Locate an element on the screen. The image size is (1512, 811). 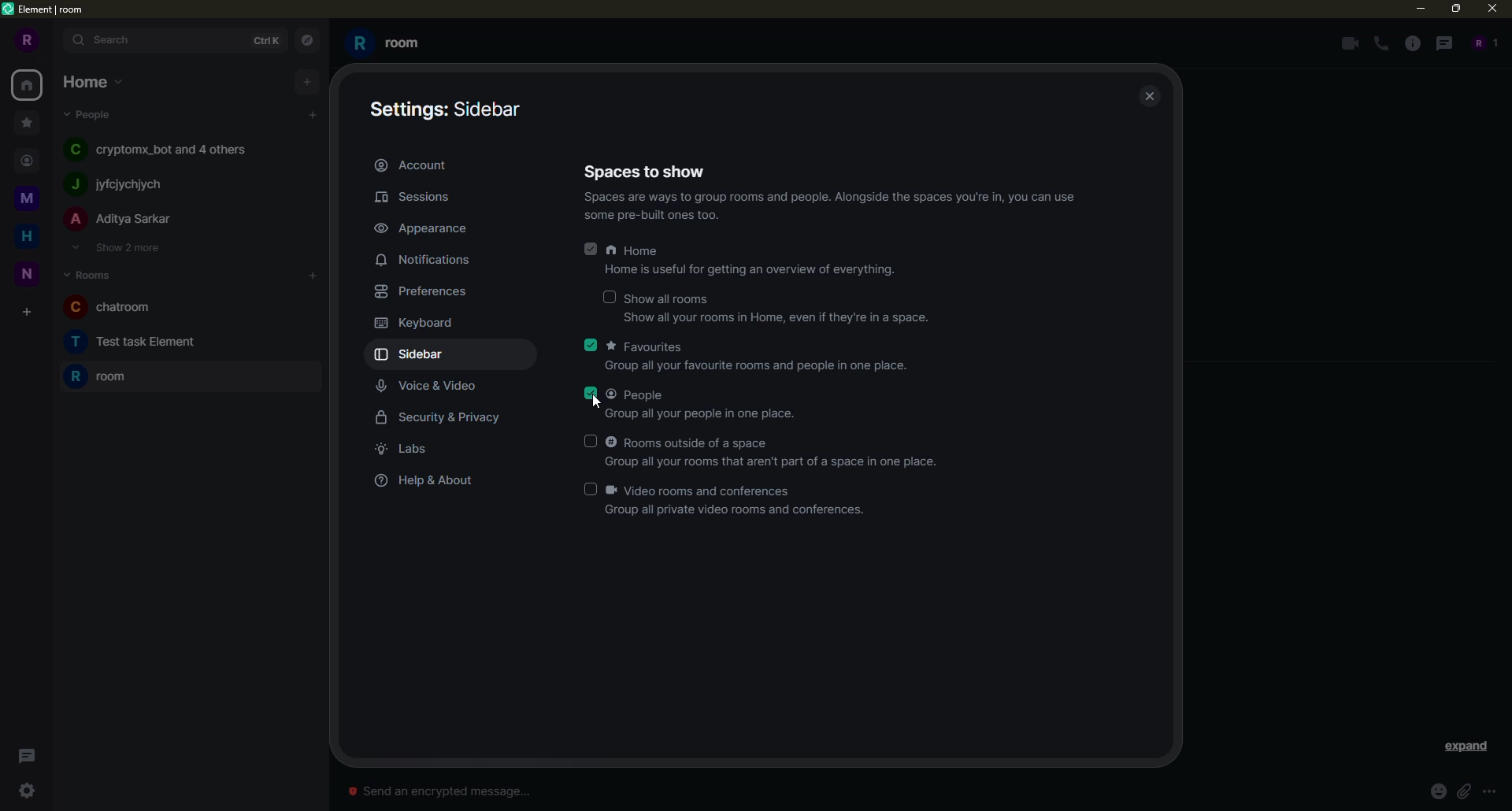
Spaces are ways to group rooms and people. Alongside the spaces you're in, you can use
‘some pre-built ones too. is located at coordinates (823, 210).